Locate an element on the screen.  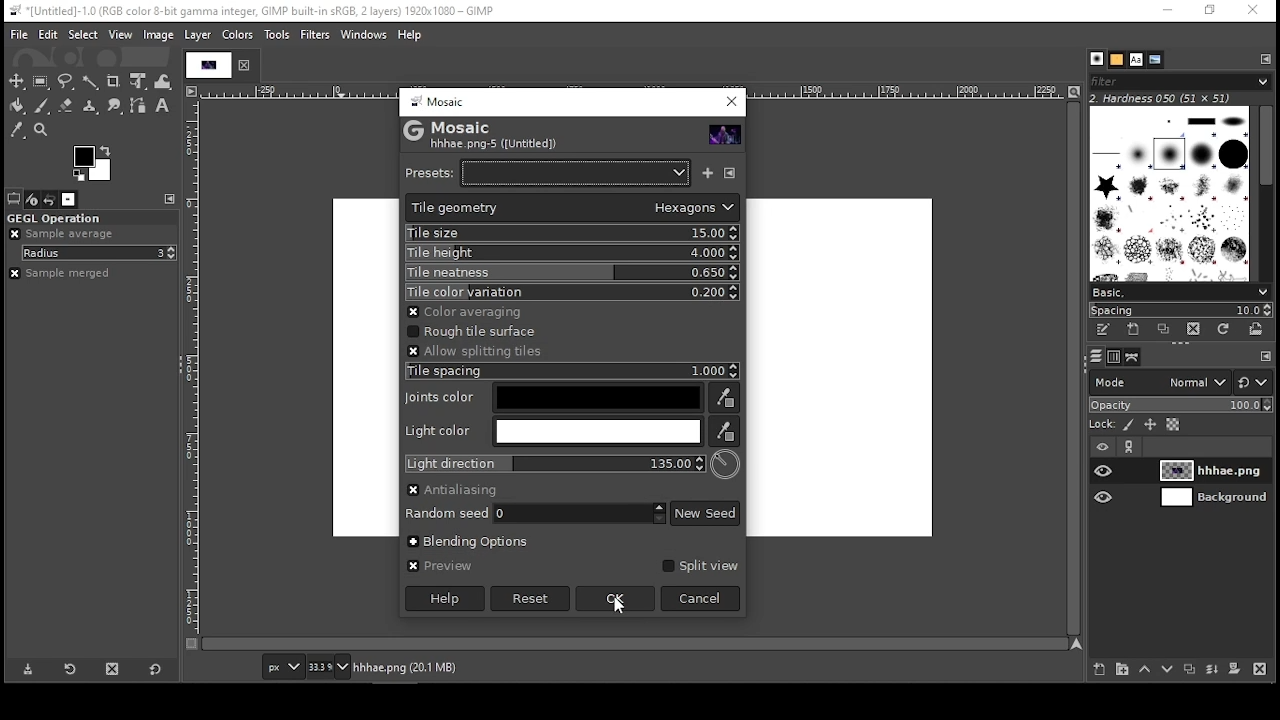
sample merged is located at coordinates (61, 274).